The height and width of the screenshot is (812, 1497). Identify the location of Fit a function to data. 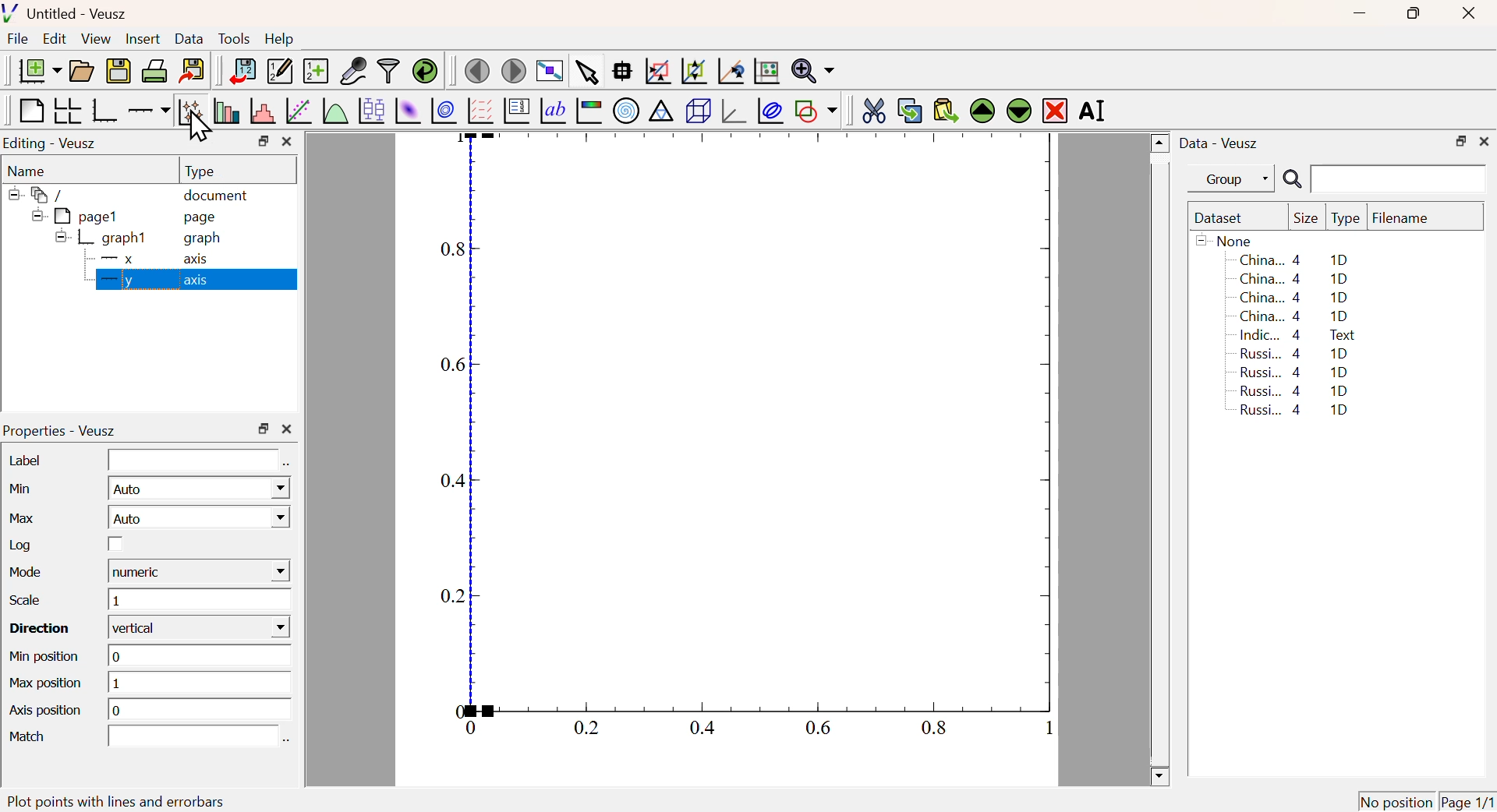
(299, 112).